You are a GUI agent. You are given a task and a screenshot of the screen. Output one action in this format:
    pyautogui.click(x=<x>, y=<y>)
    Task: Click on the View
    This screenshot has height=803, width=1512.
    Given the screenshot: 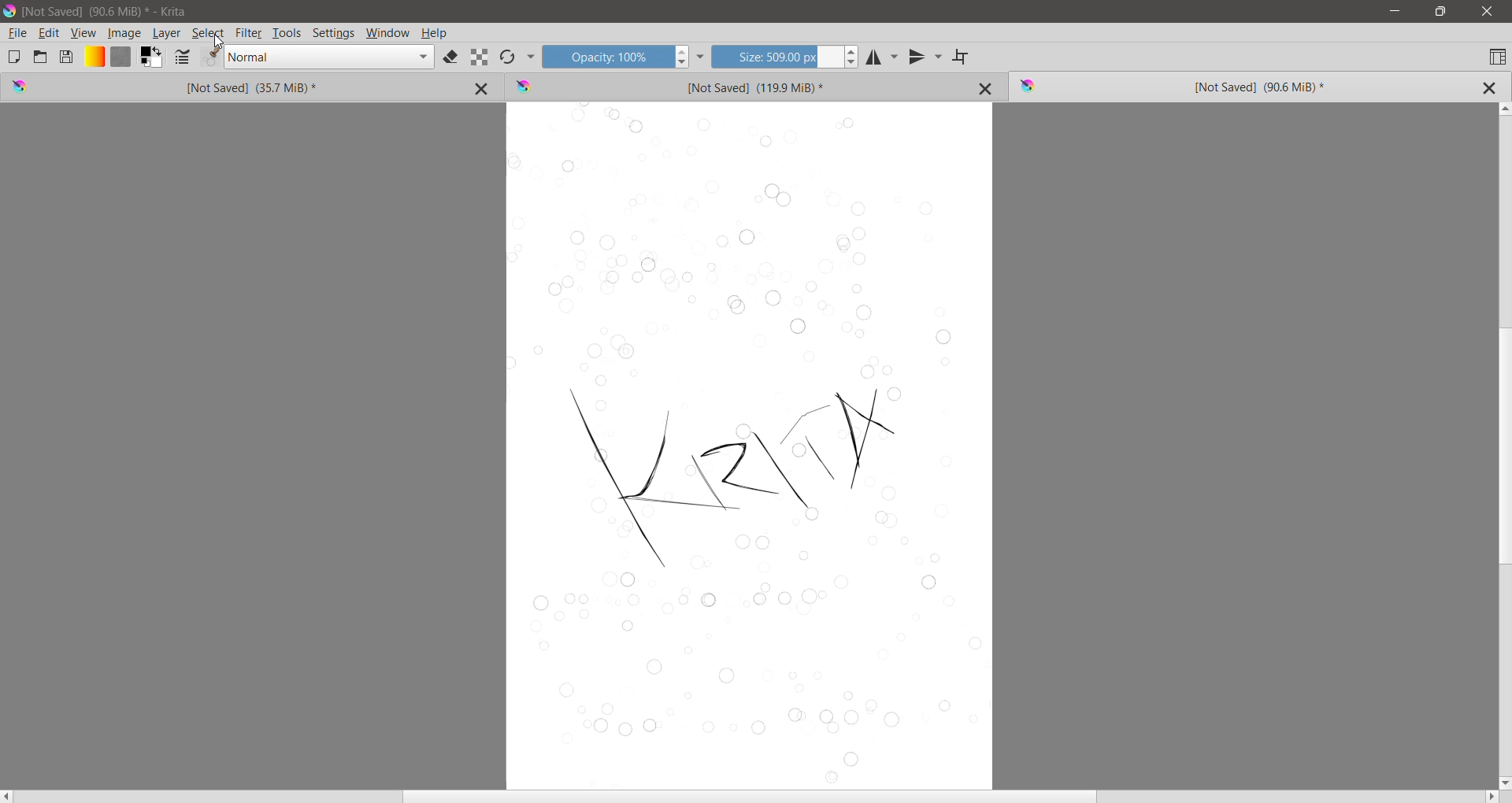 What is the action you would take?
    pyautogui.click(x=83, y=33)
    